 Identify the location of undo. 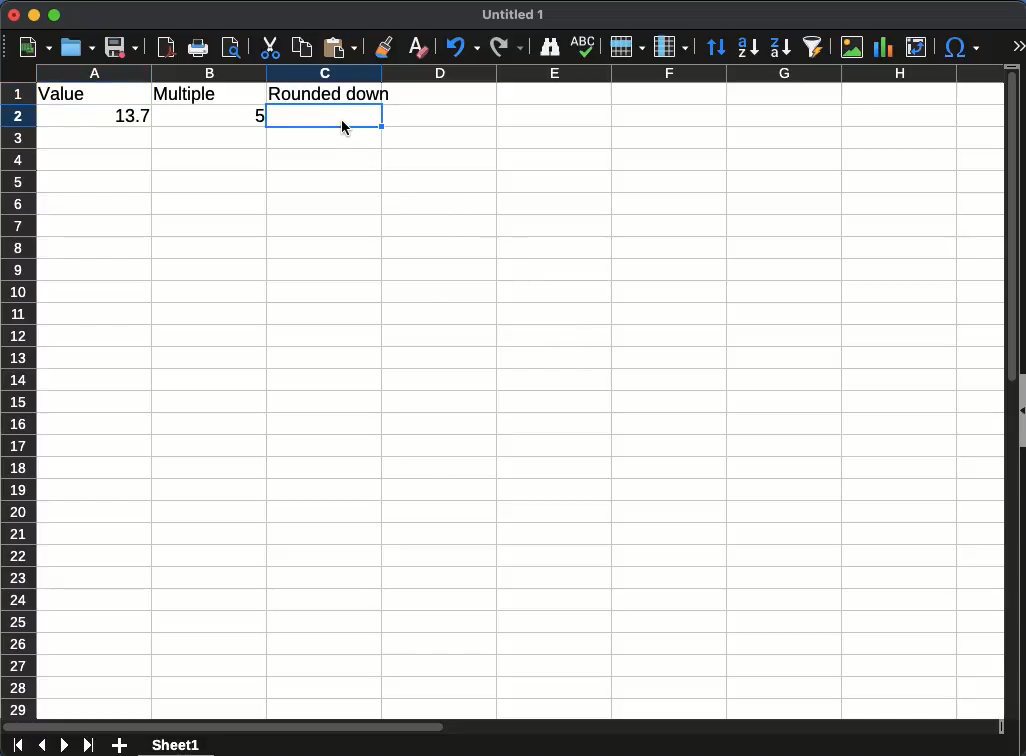
(462, 47).